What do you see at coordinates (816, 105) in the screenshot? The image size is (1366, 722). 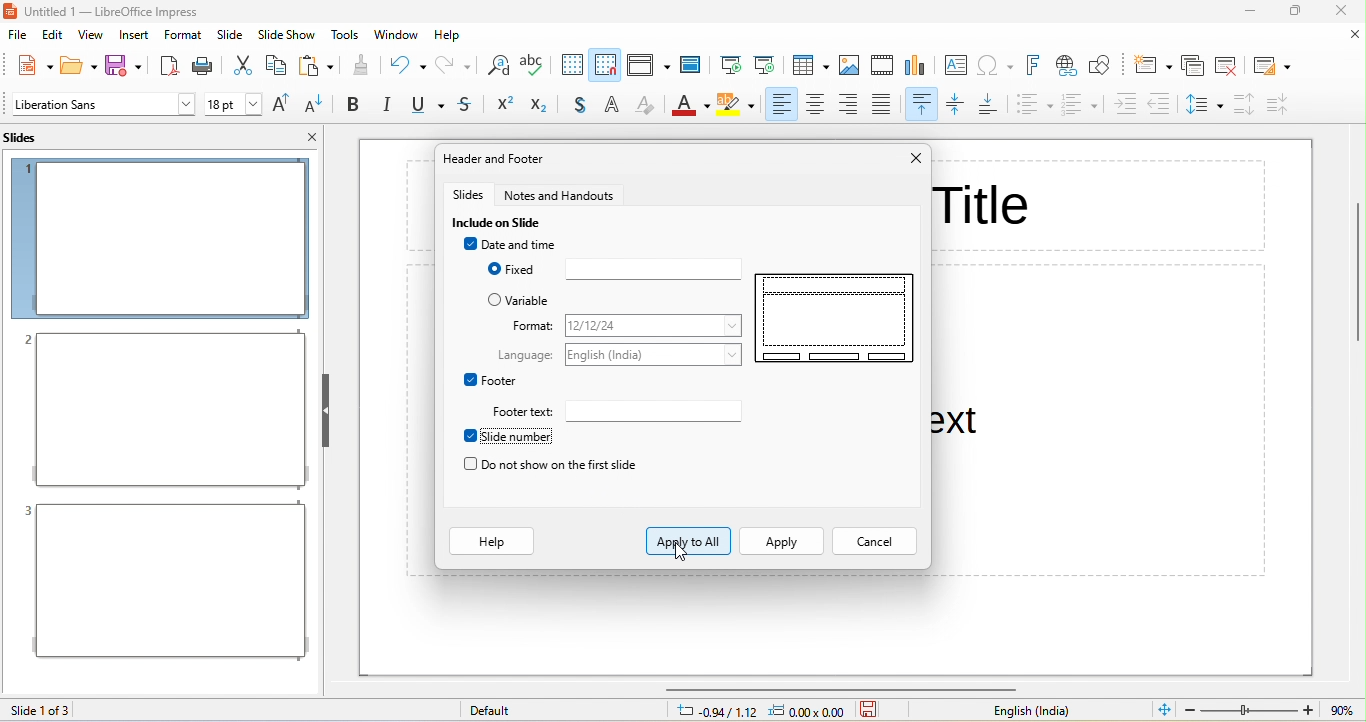 I see `align center` at bounding box center [816, 105].